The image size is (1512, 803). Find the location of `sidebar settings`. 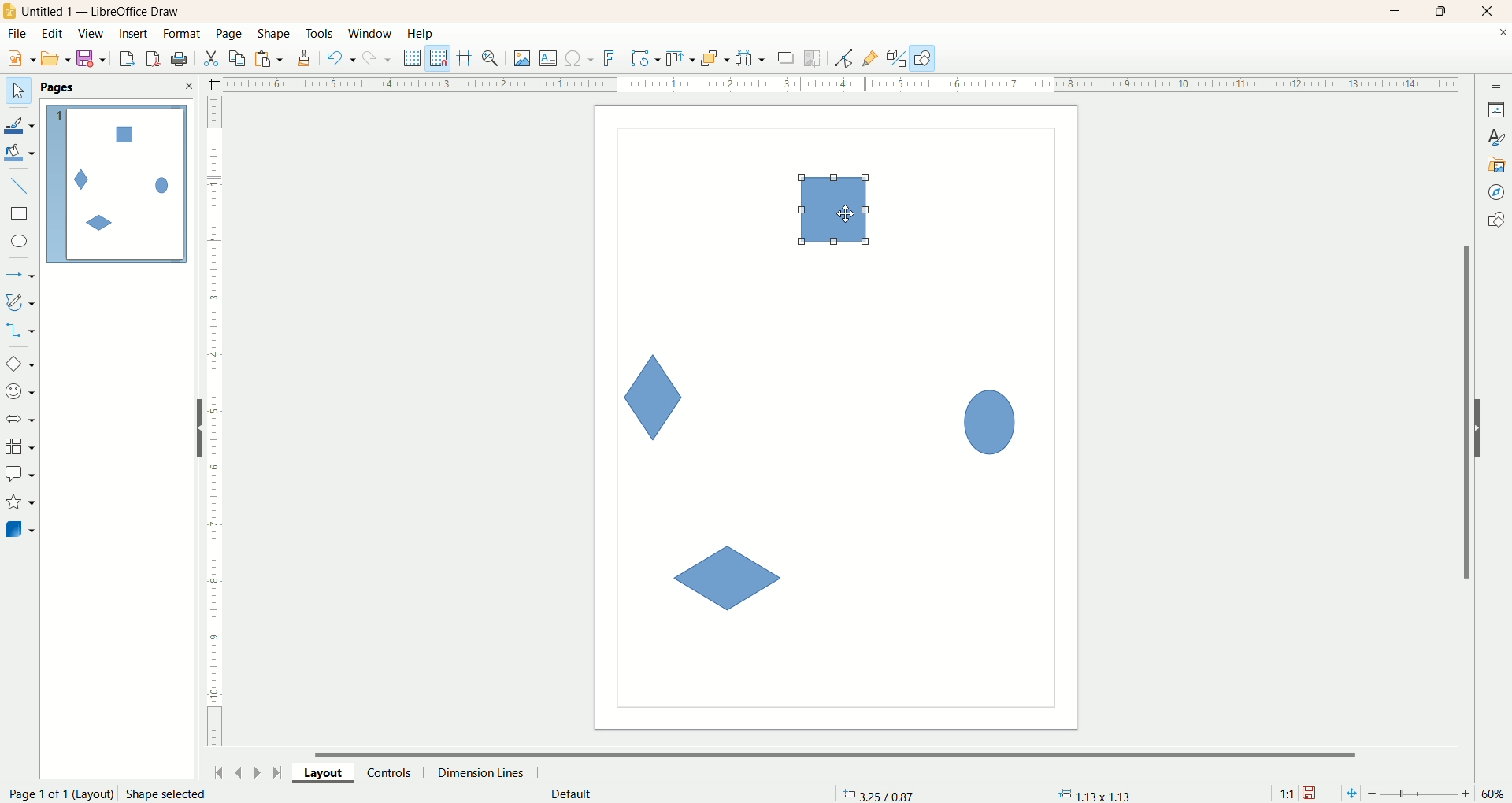

sidebar settings is located at coordinates (1497, 83).